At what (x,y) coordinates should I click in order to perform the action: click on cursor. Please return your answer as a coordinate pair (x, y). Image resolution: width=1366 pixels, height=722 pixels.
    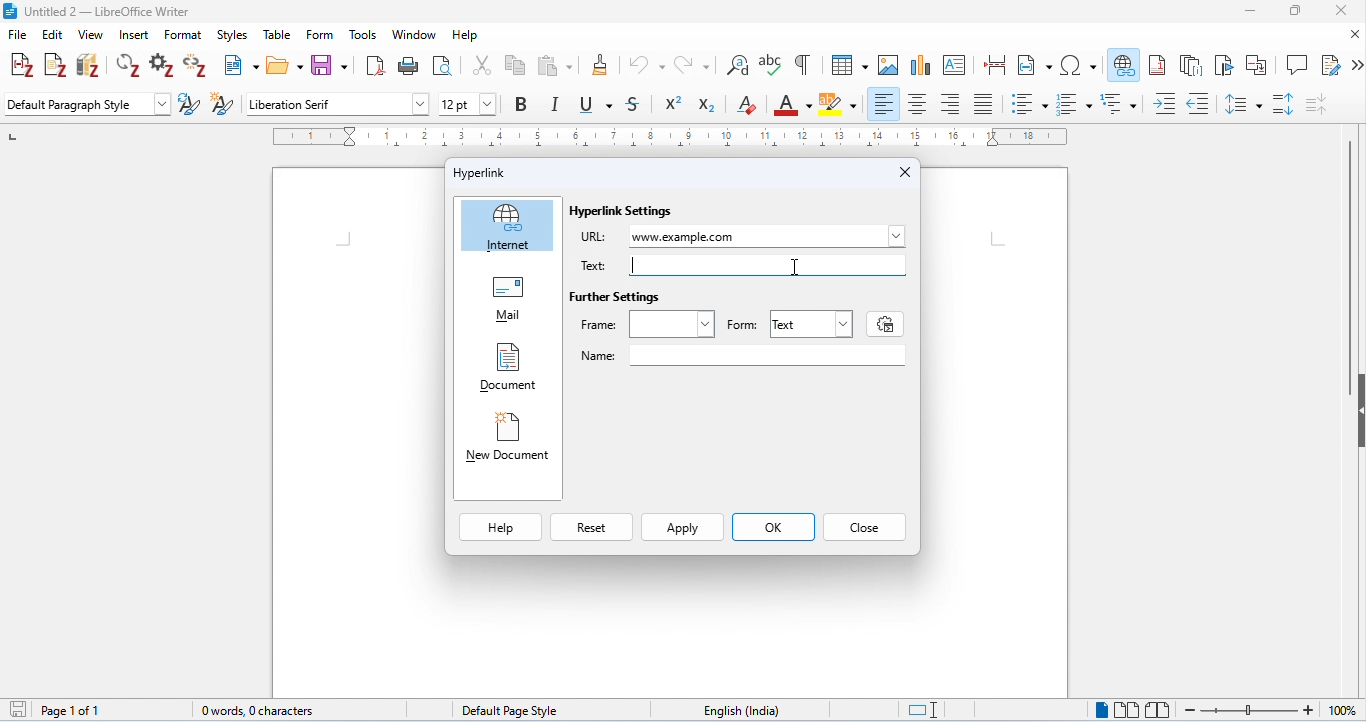
    Looking at the image, I should click on (1134, 77).